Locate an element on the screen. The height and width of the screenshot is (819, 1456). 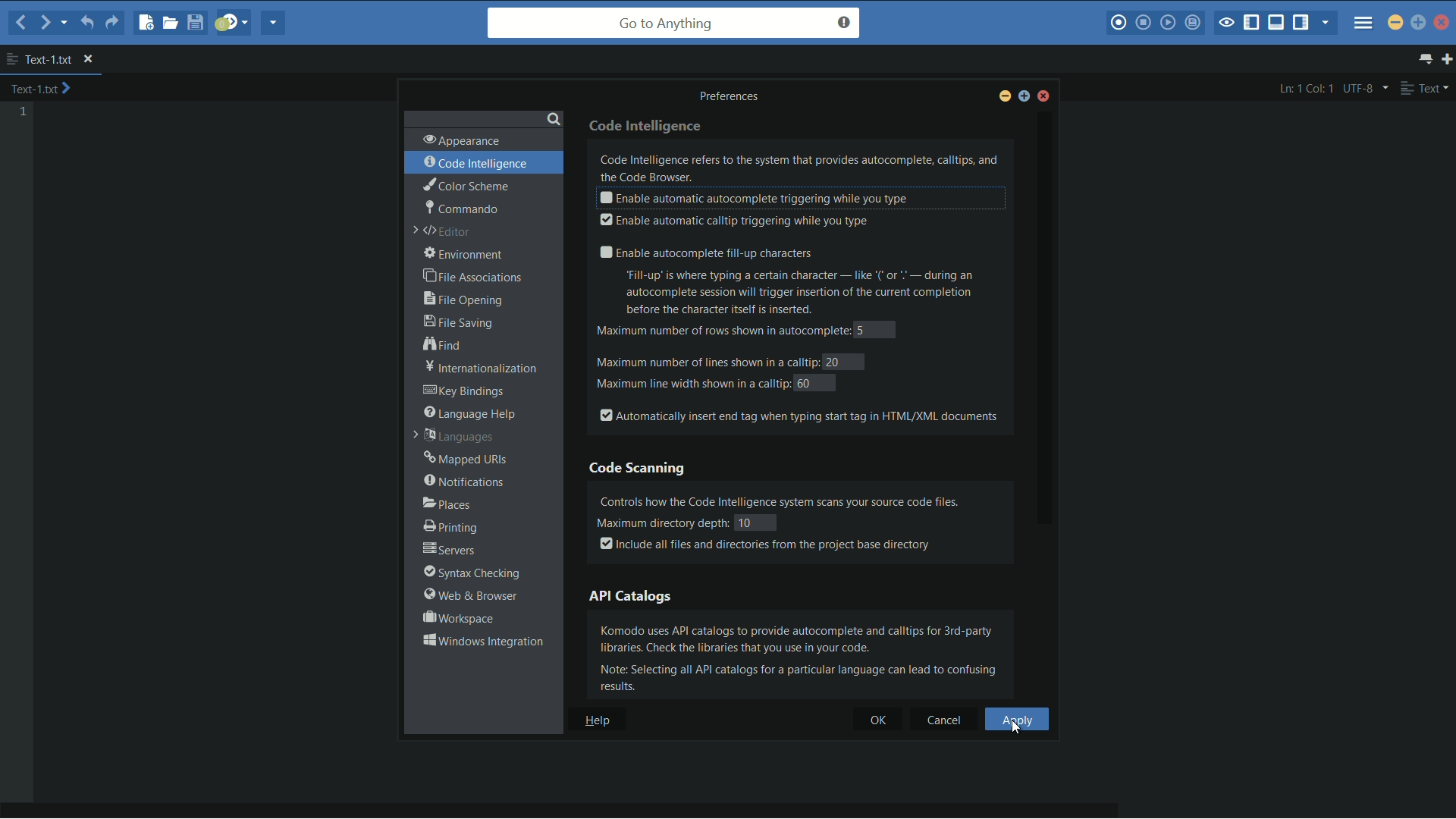
Komodo uses AP catalogs to provide autocomplete and calltips for 3rd-party
libraries. Check the libraries that you use in your code.

Note: Selecting all API catalogs for a particular language can lead to confusing
results. is located at coordinates (808, 657).